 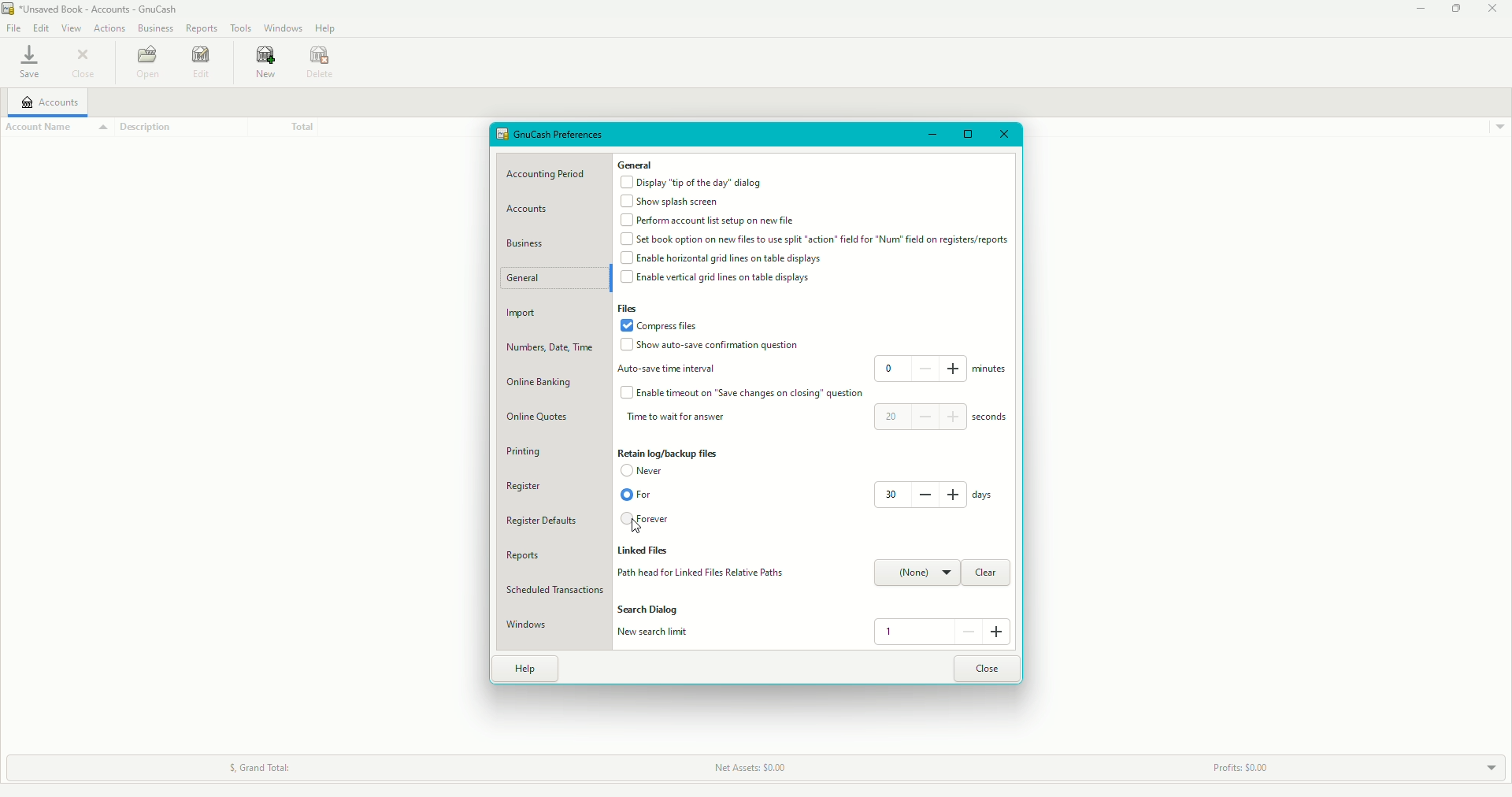 I want to click on Business, so click(x=154, y=28).